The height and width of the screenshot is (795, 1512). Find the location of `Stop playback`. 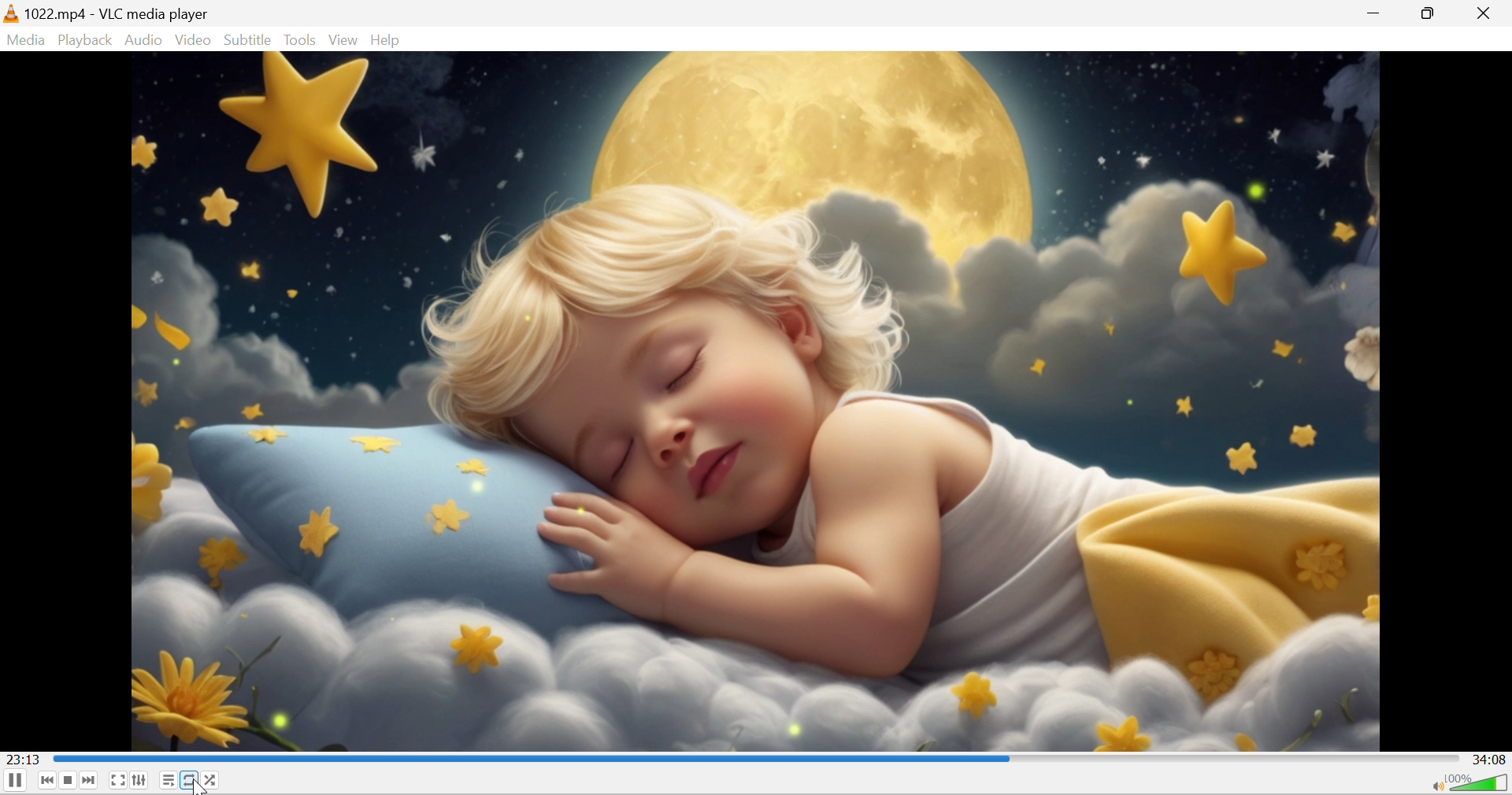

Stop playback is located at coordinates (71, 780).